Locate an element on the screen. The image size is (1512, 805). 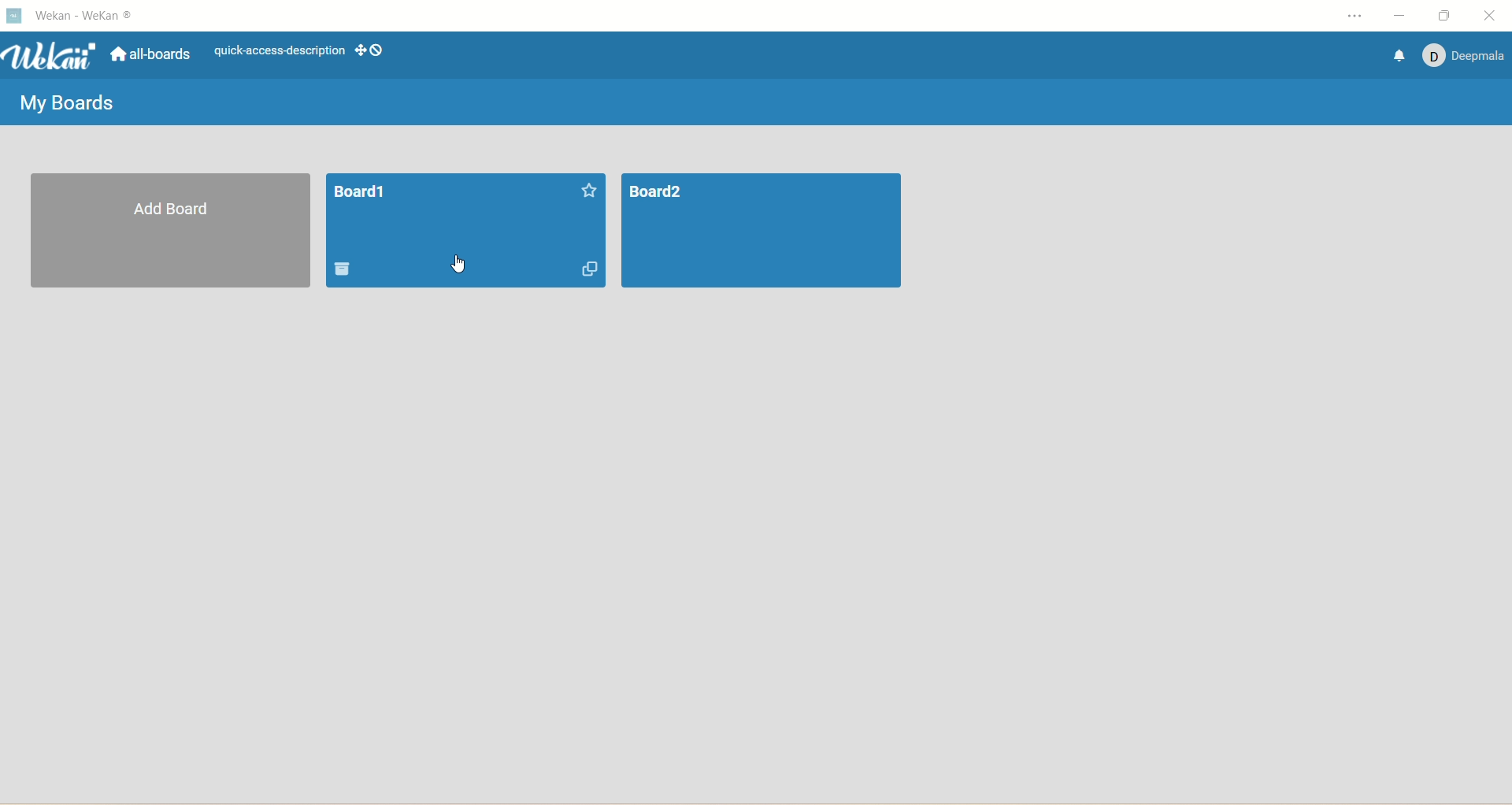
text is located at coordinates (276, 52).